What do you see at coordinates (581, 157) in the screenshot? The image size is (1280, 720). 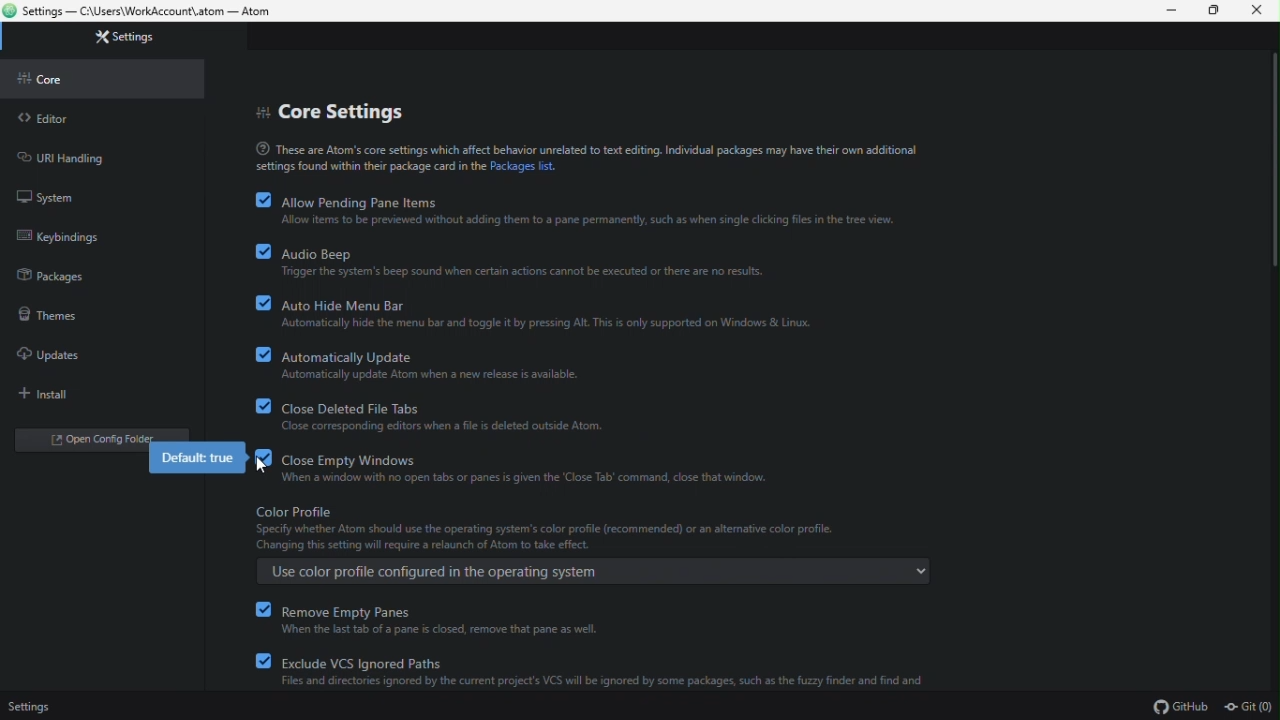 I see `text` at bounding box center [581, 157].